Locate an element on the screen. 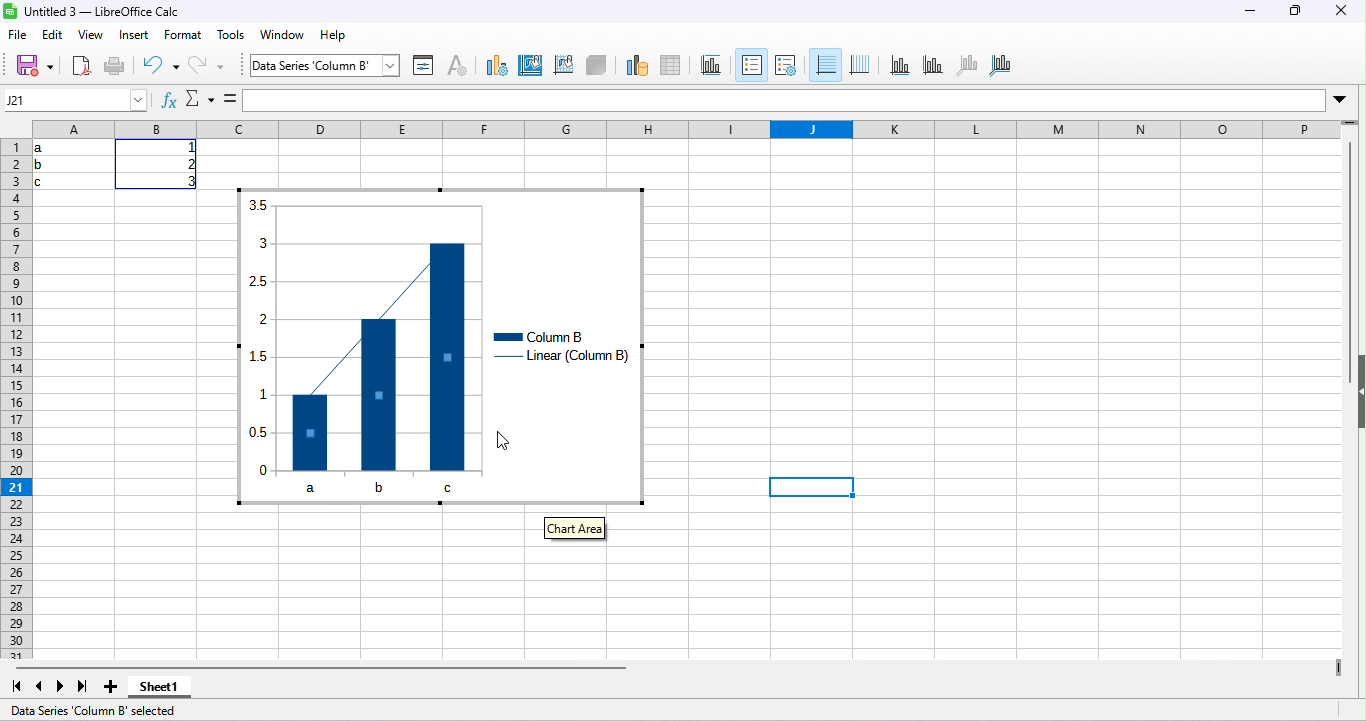 The width and height of the screenshot is (1366, 722). select function is located at coordinates (198, 99).